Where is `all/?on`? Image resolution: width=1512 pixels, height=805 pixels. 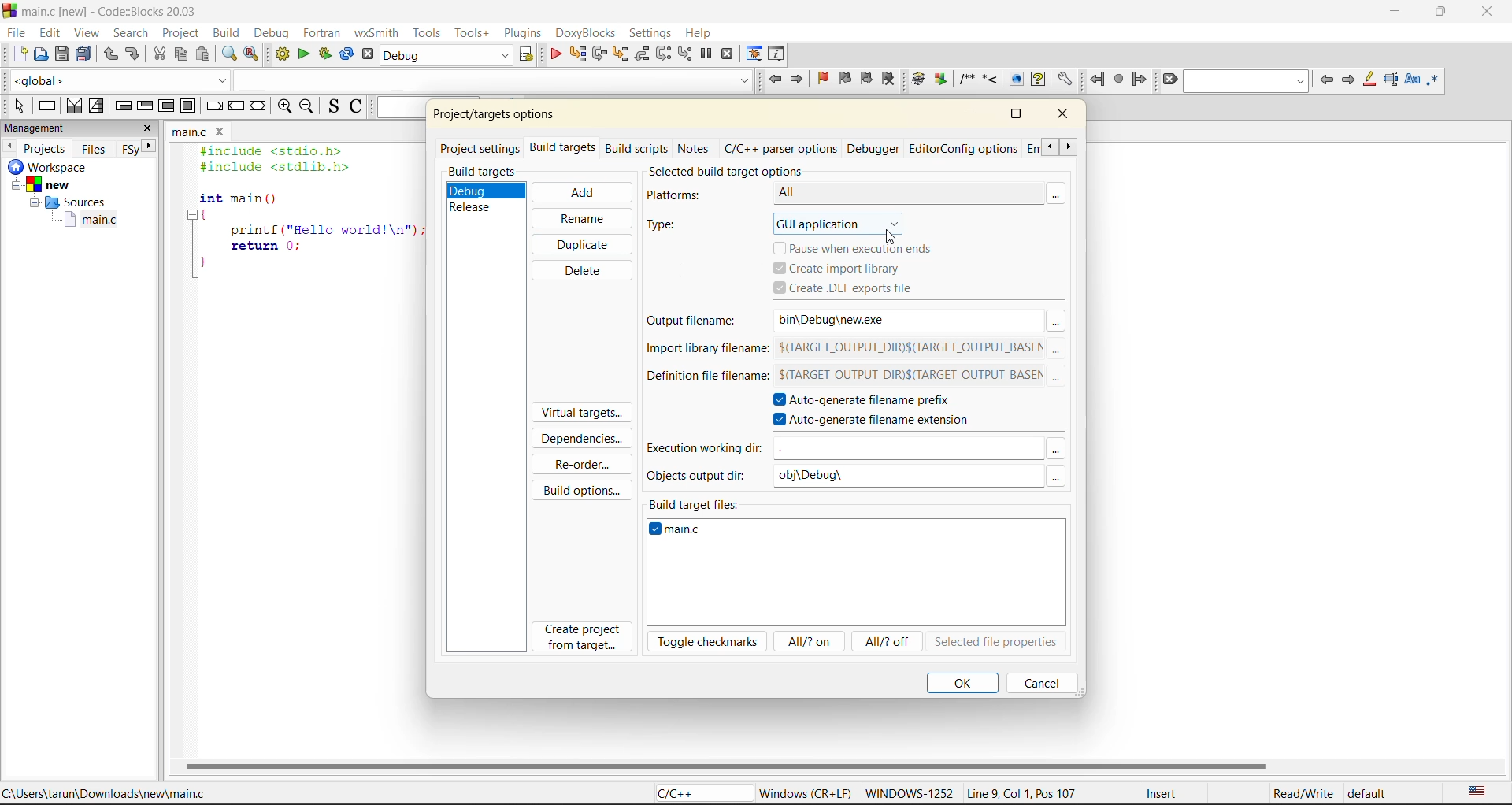
all/?on is located at coordinates (807, 640).